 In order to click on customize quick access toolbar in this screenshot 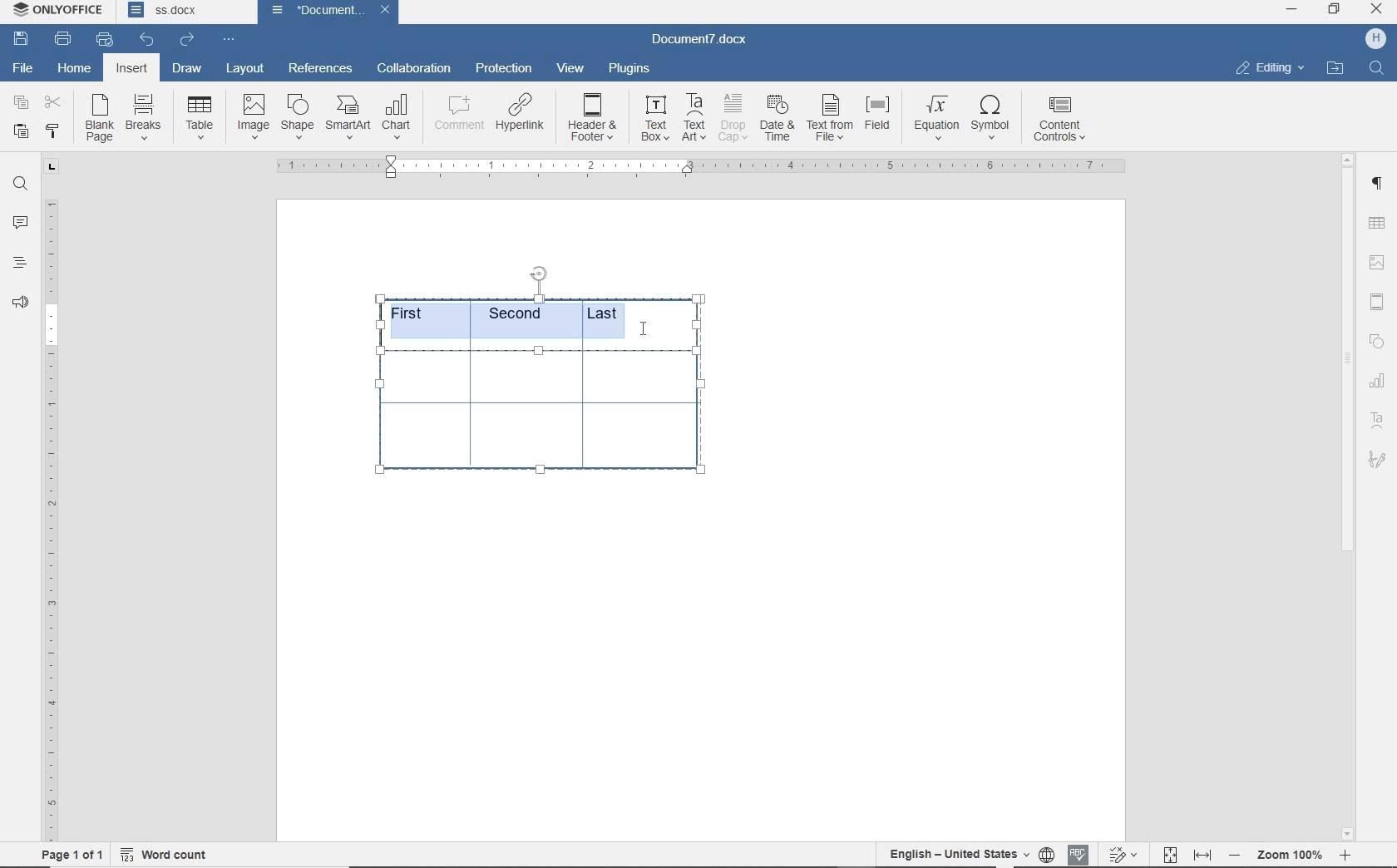, I will do `click(228, 40)`.